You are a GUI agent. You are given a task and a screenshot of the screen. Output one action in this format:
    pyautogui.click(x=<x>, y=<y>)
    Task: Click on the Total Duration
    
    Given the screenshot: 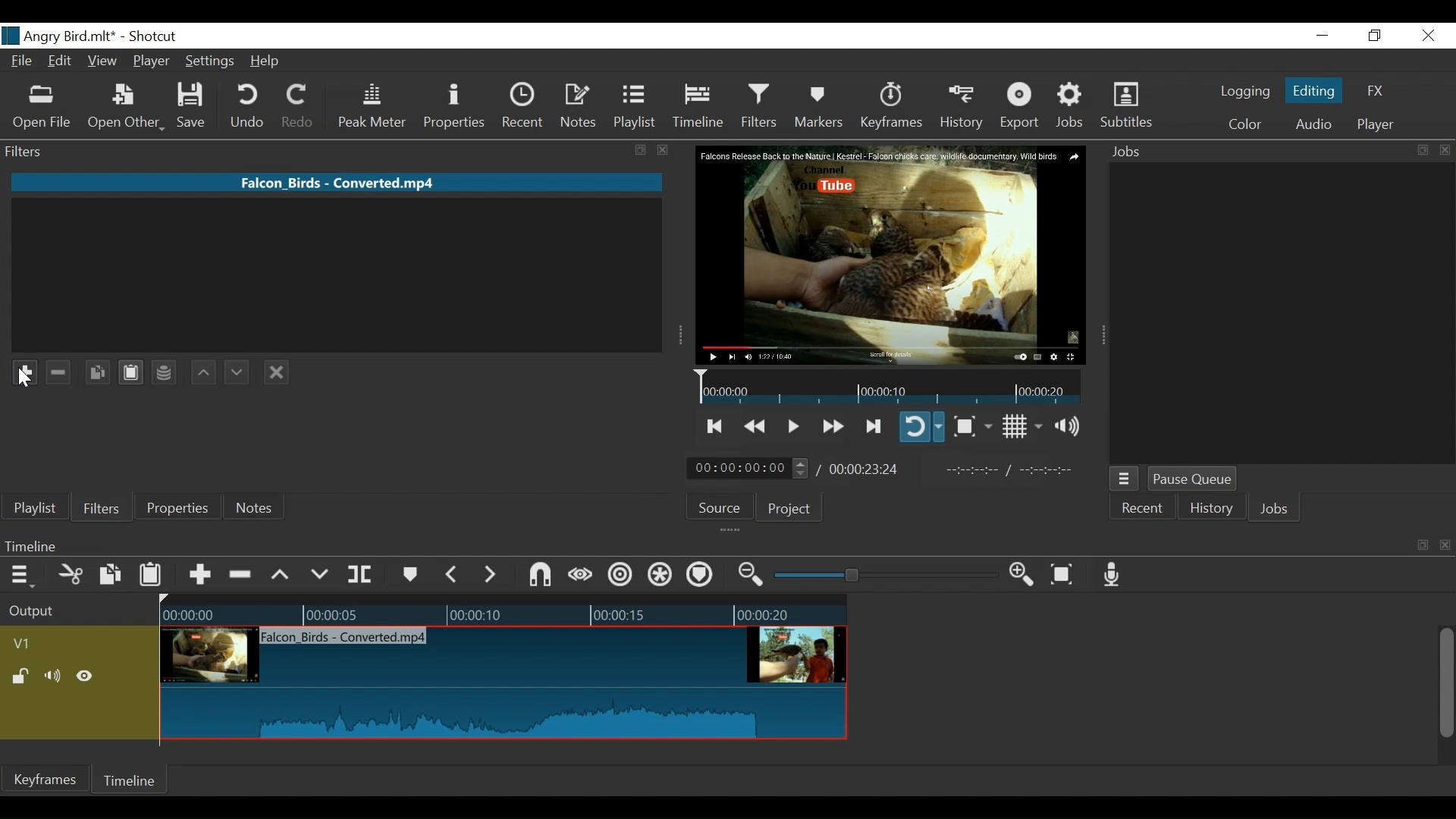 What is the action you would take?
    pyautogui.click(x=866, y=469)
    